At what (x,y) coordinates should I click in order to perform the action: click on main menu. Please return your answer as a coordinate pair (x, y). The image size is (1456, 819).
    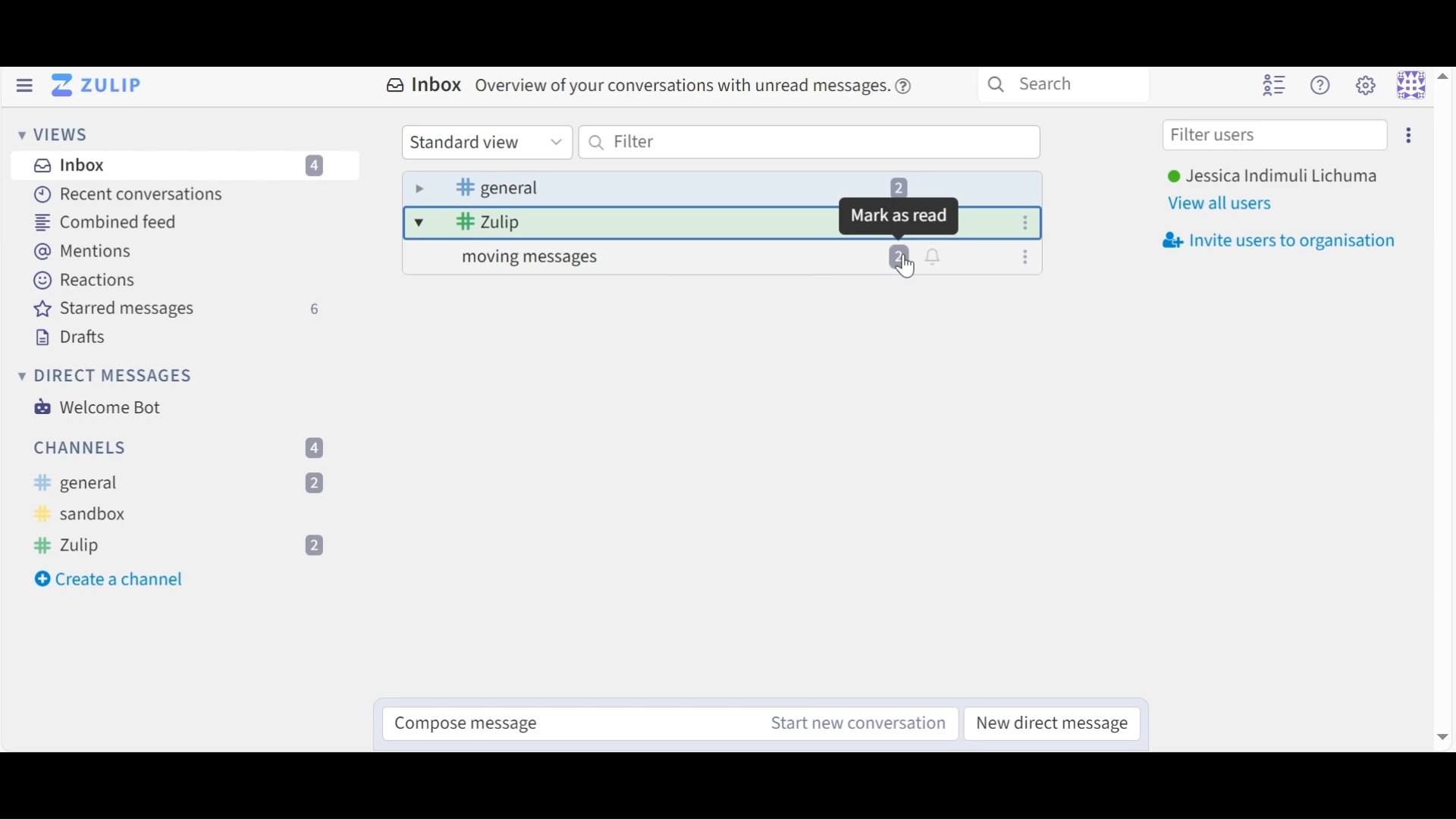
    Looking at the image, I should click on (1364, 86).